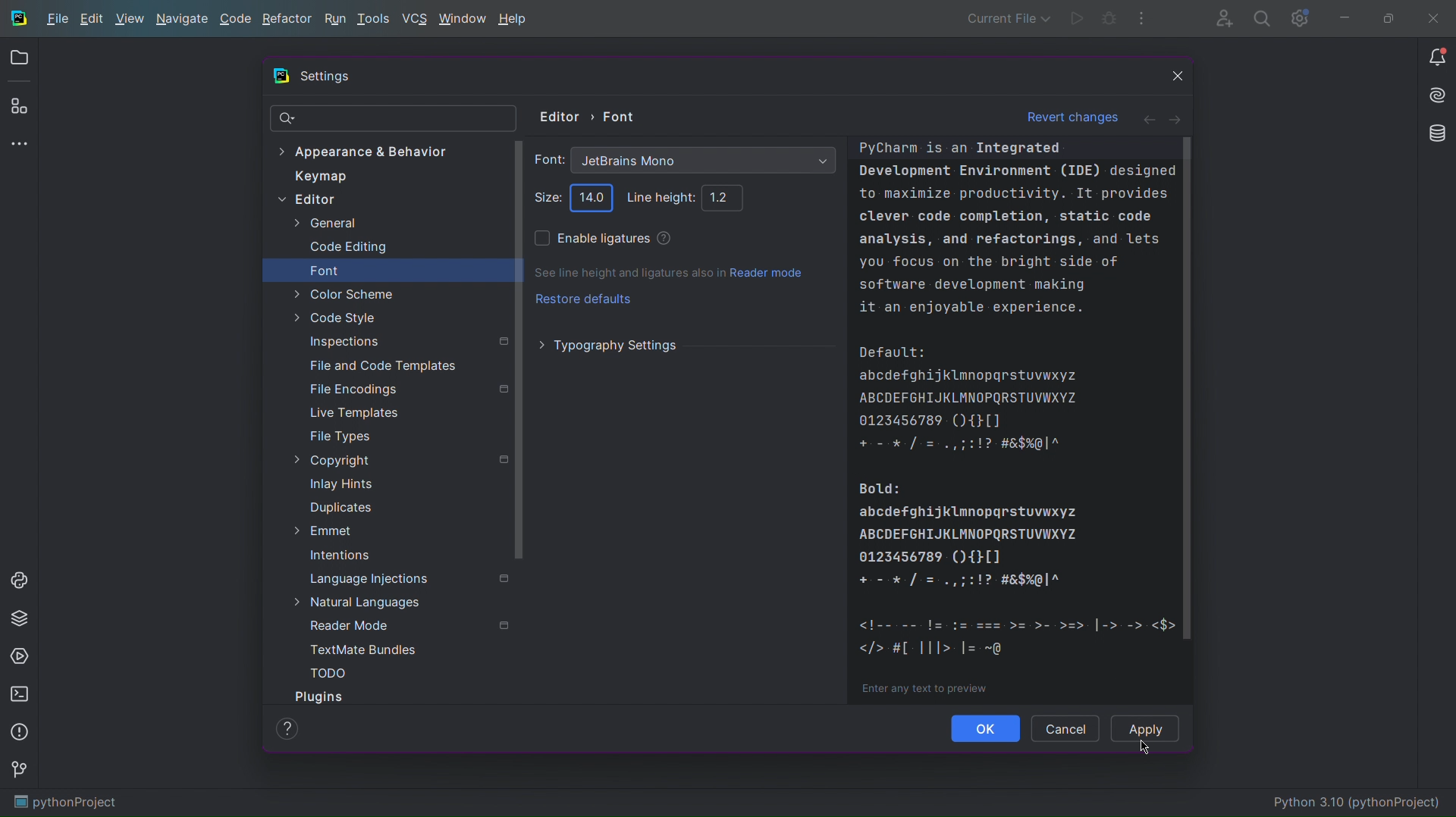 The height and width of the screenshot is (817, 1456). I want to click on Code Style, so click(336, 316).